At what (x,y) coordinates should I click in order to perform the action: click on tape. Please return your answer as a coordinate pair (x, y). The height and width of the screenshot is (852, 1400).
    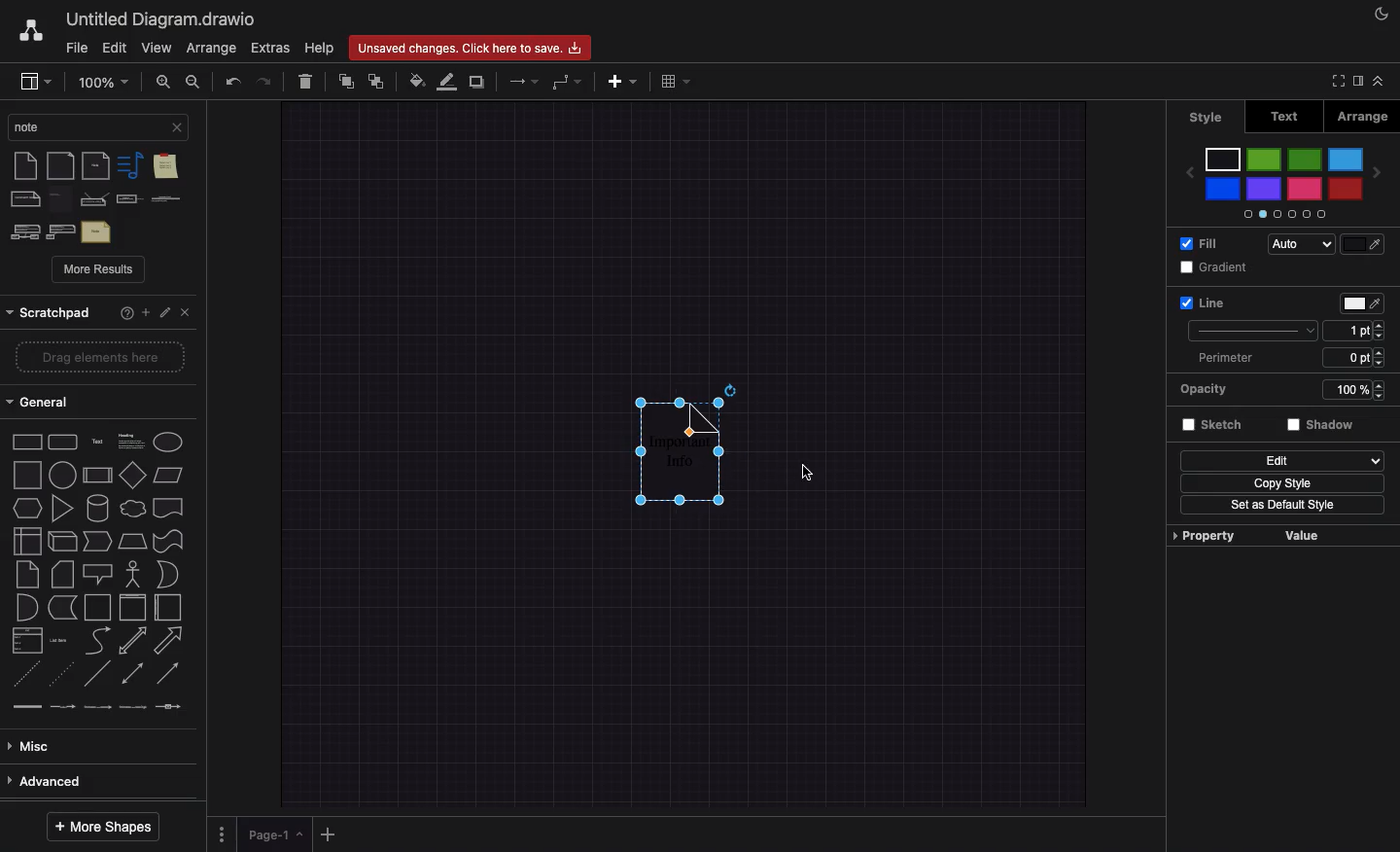
    Looking at the image, I should click on (169, 541).